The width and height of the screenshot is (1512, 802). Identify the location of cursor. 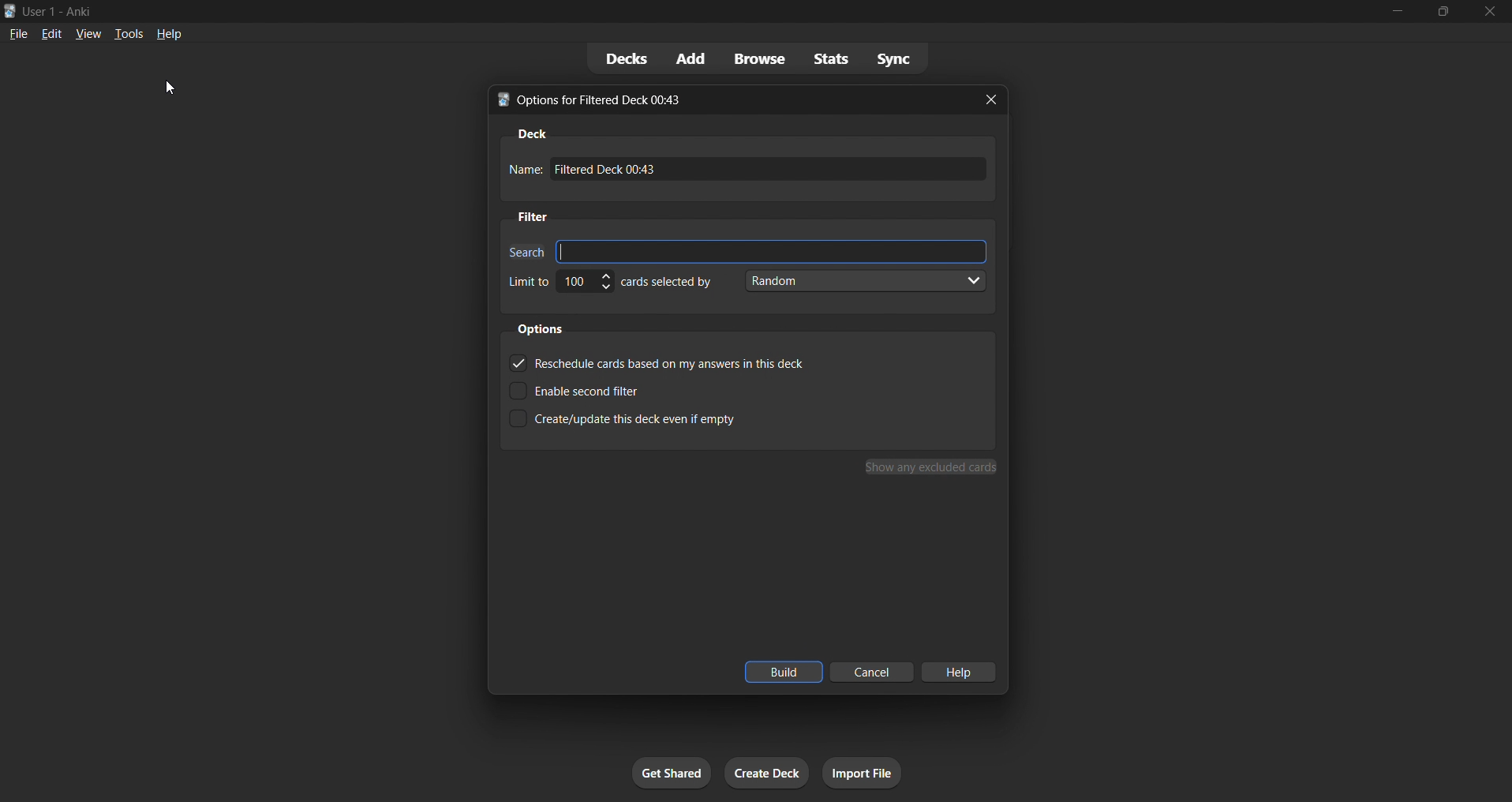
(174, 92).